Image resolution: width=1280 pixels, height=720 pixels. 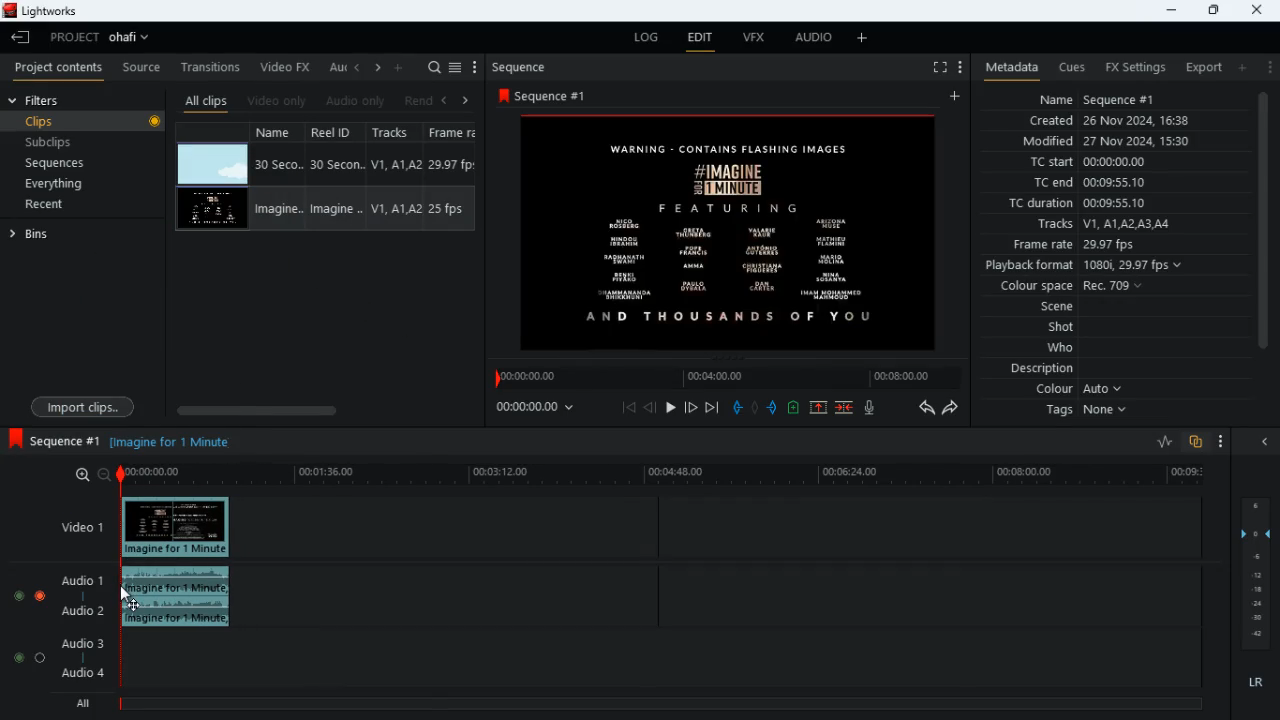 What do you see at coordinates (455, 68) in the screenshot?
I see `list` at bounding box center [455, 68].